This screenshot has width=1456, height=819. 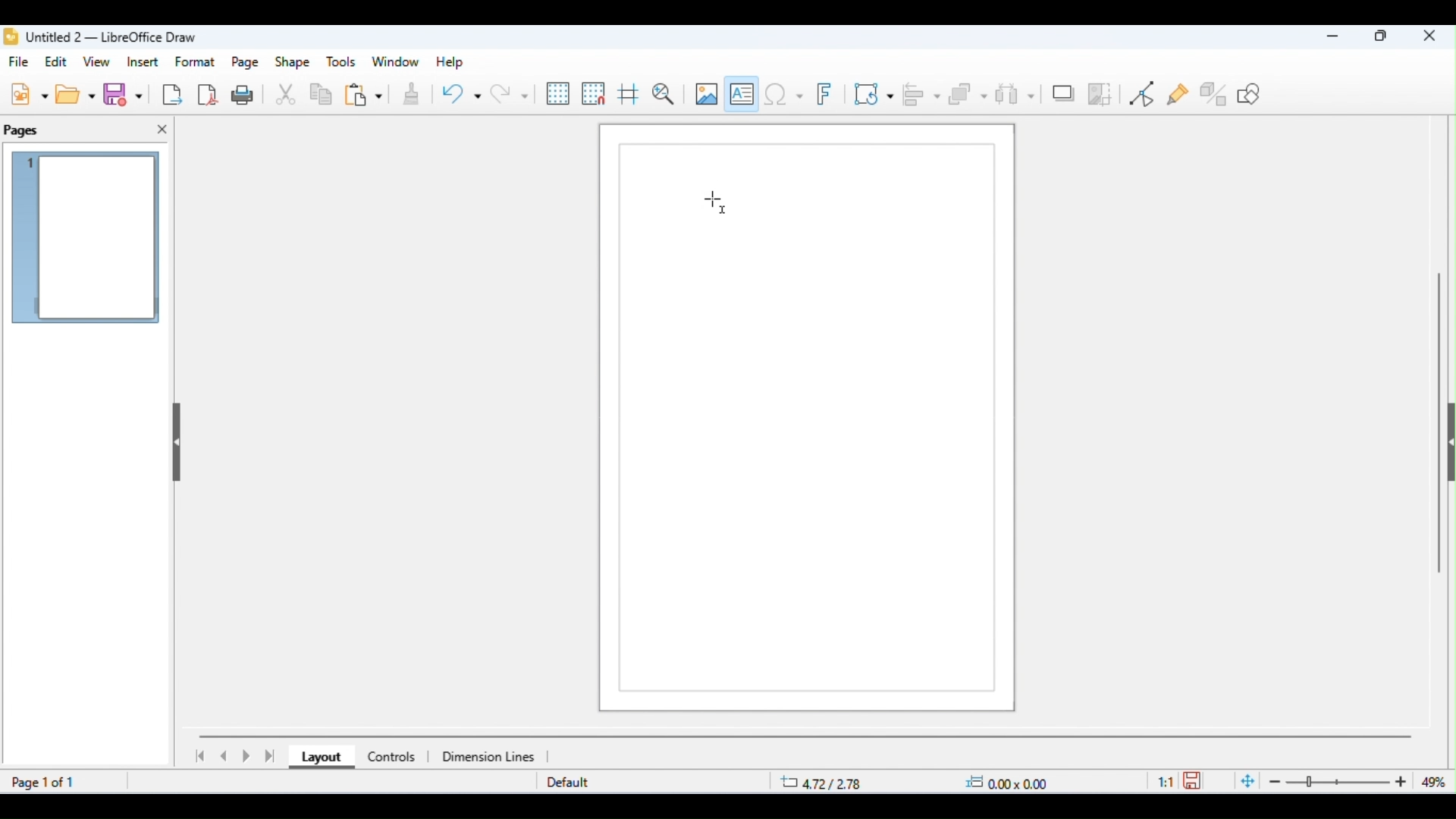 I want to click on show gluepoint functions, so click(x=1179, y=96).